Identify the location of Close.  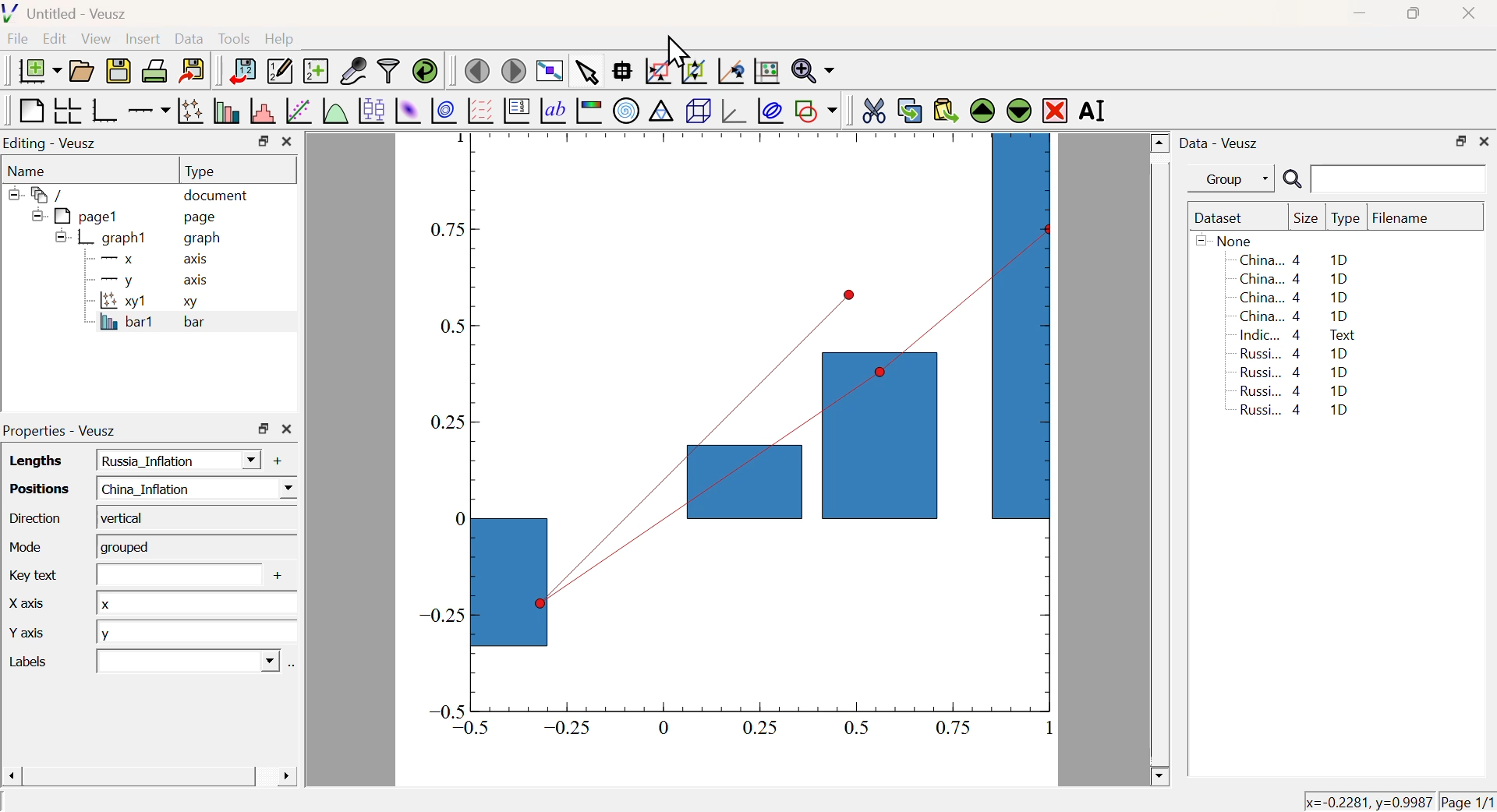
(1466, 15).